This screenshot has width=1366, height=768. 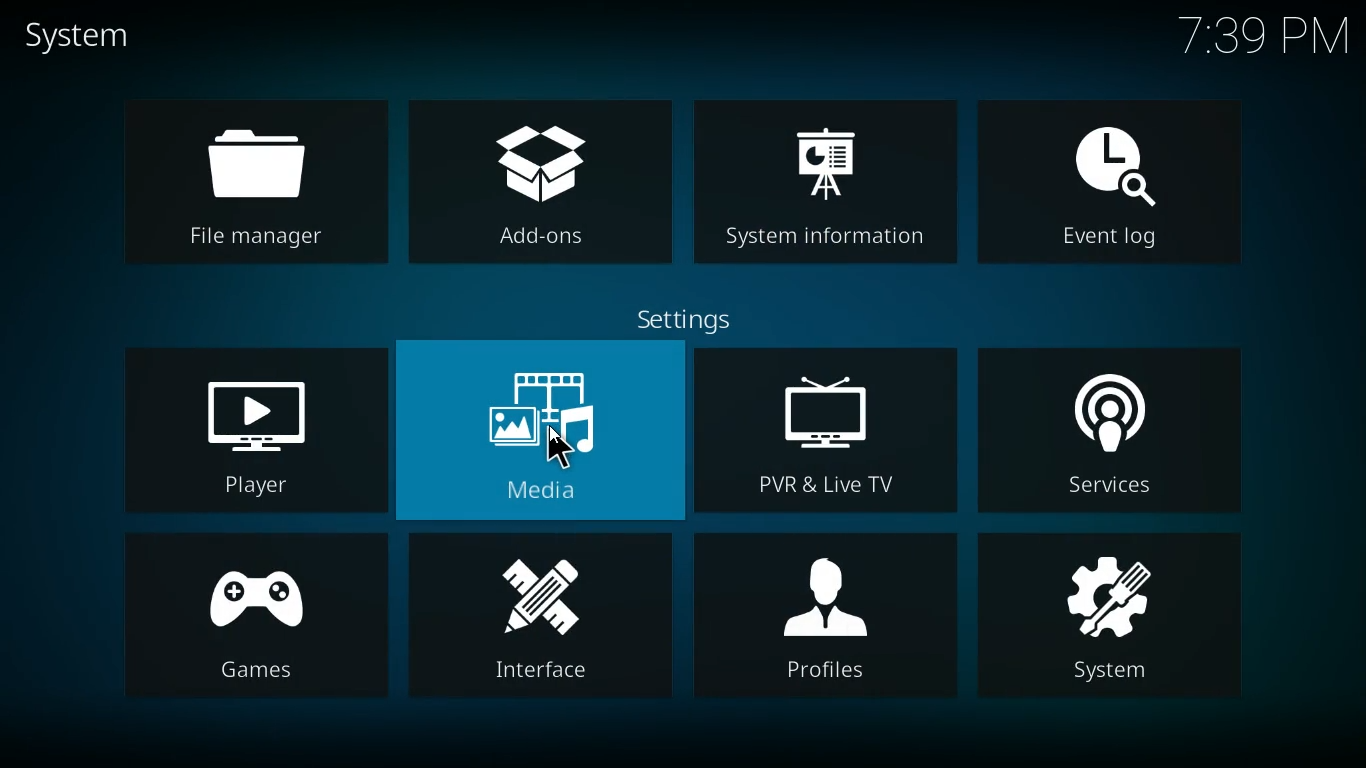 What do you see at coordinates (255, 182) in the screenshot?
I see `file manager` at bounding box center [255, 182].